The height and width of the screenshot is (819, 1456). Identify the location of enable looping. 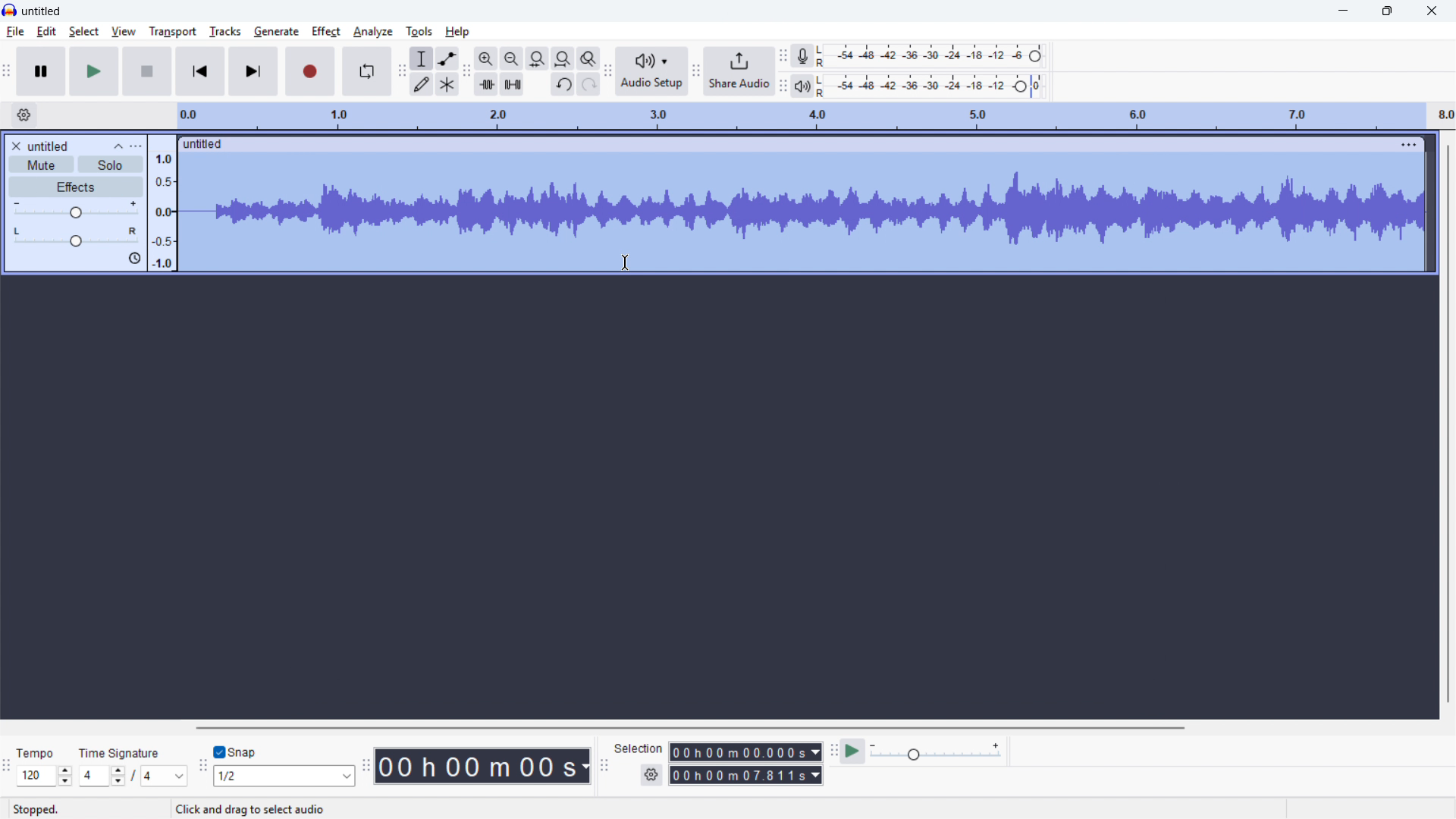
(367, 71).